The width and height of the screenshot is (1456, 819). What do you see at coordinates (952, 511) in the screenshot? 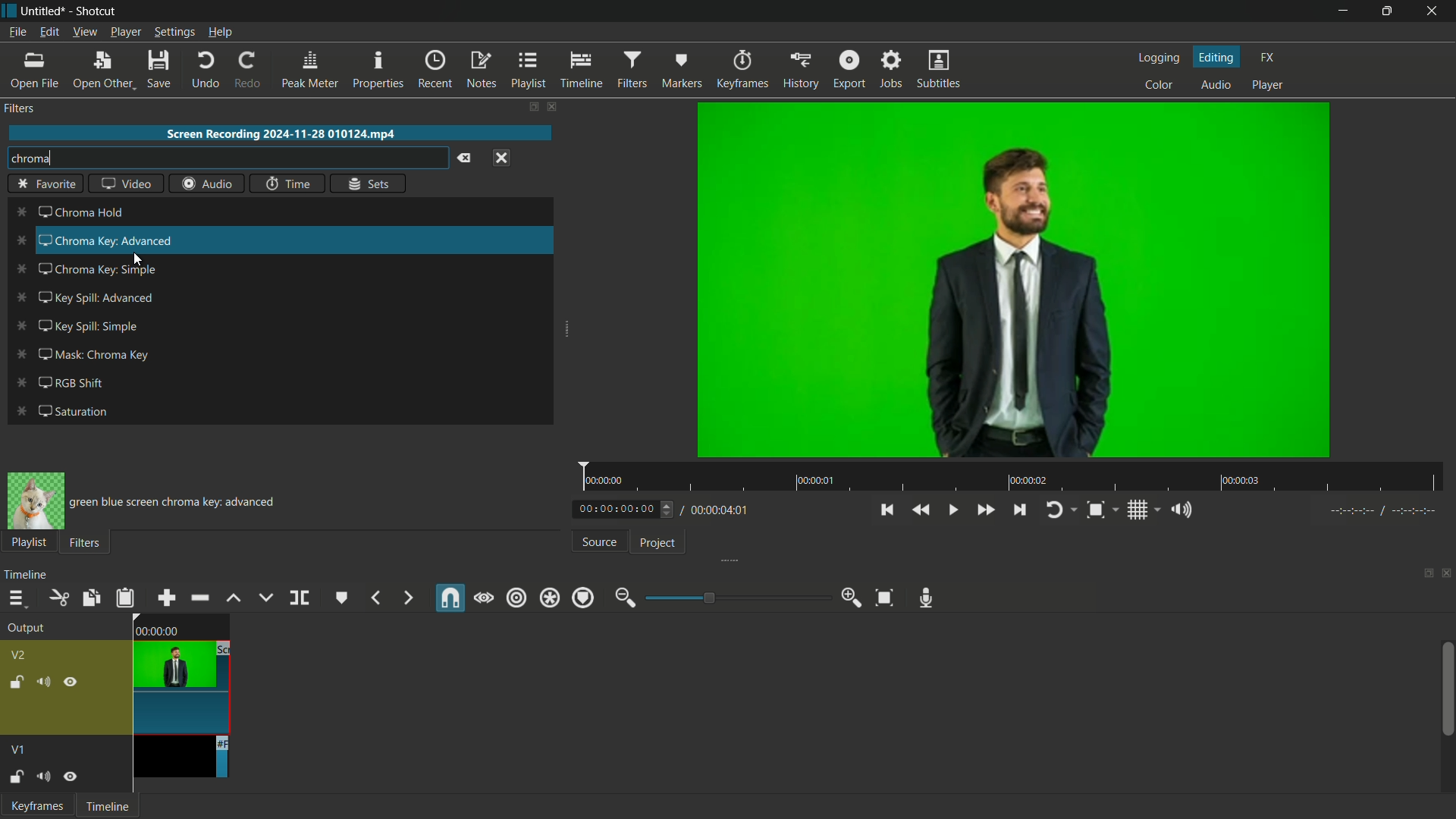
I see `toggle play or pause` at bounding box center [952, 511].